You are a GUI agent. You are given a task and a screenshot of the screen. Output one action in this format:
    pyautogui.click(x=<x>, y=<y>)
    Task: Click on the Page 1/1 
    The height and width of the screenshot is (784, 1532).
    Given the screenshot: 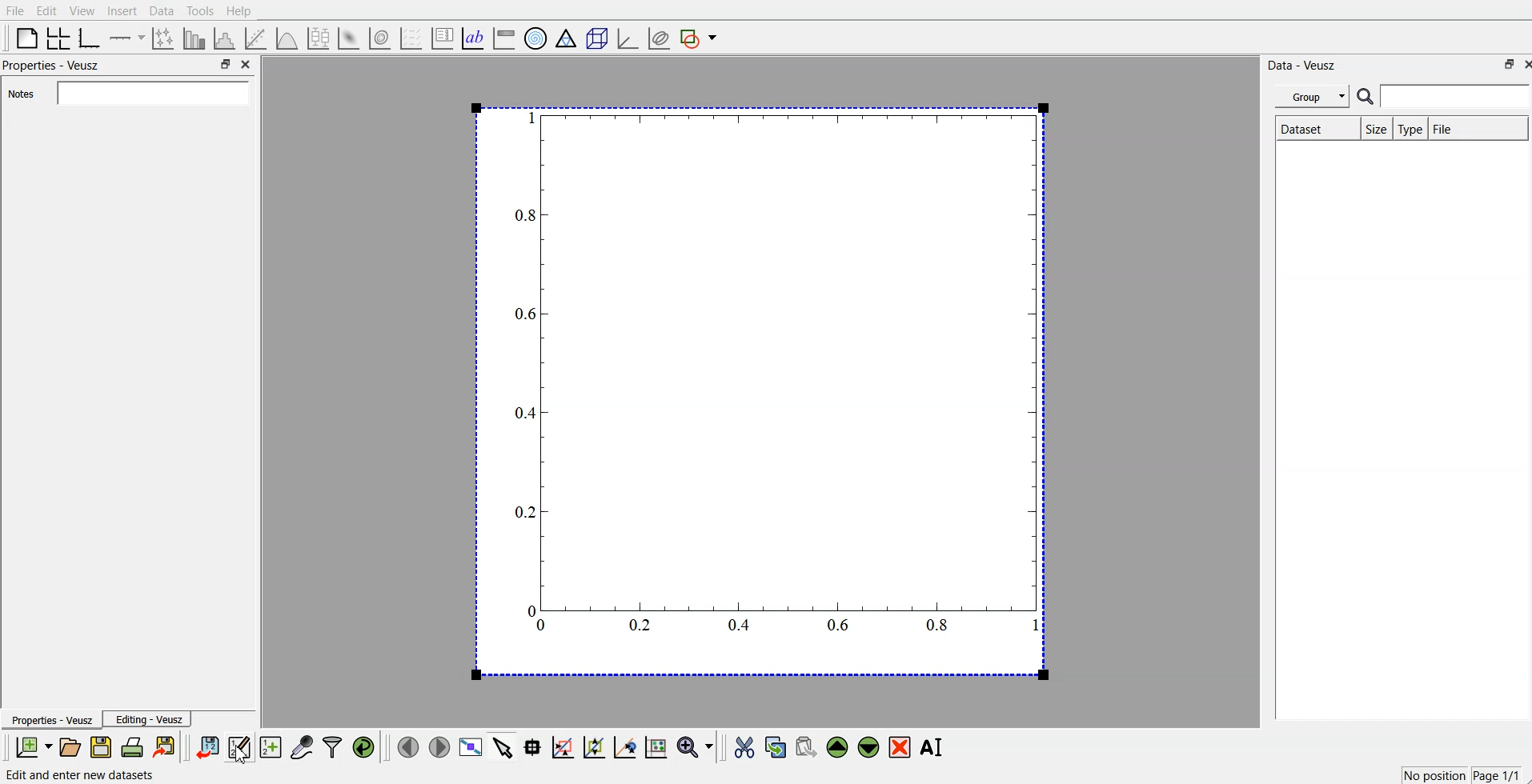 What is the action you would take?
    pyautogui.click(x=1496, y=774)
    